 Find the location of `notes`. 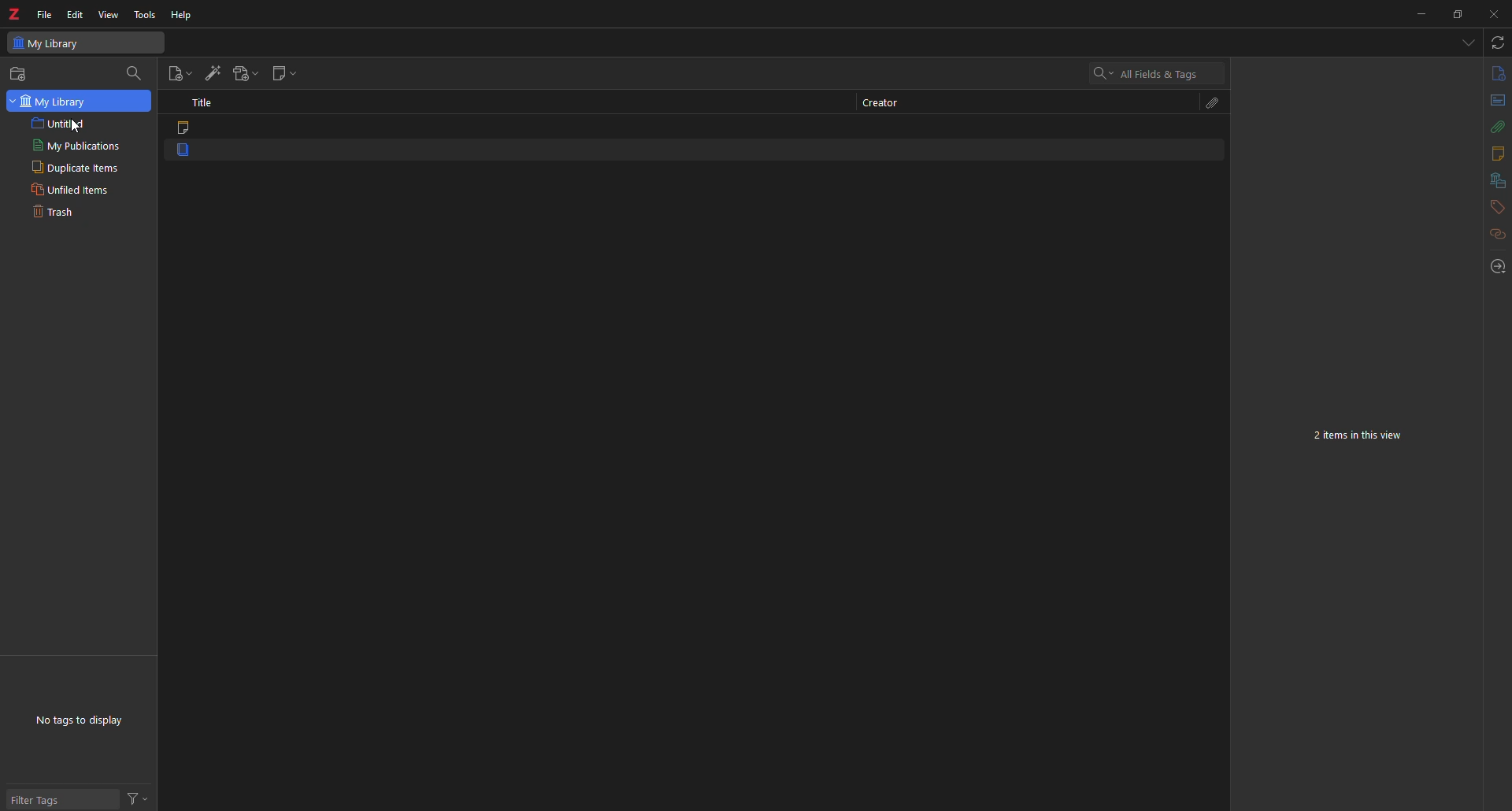

notes is located at coordinates (1498, 152).